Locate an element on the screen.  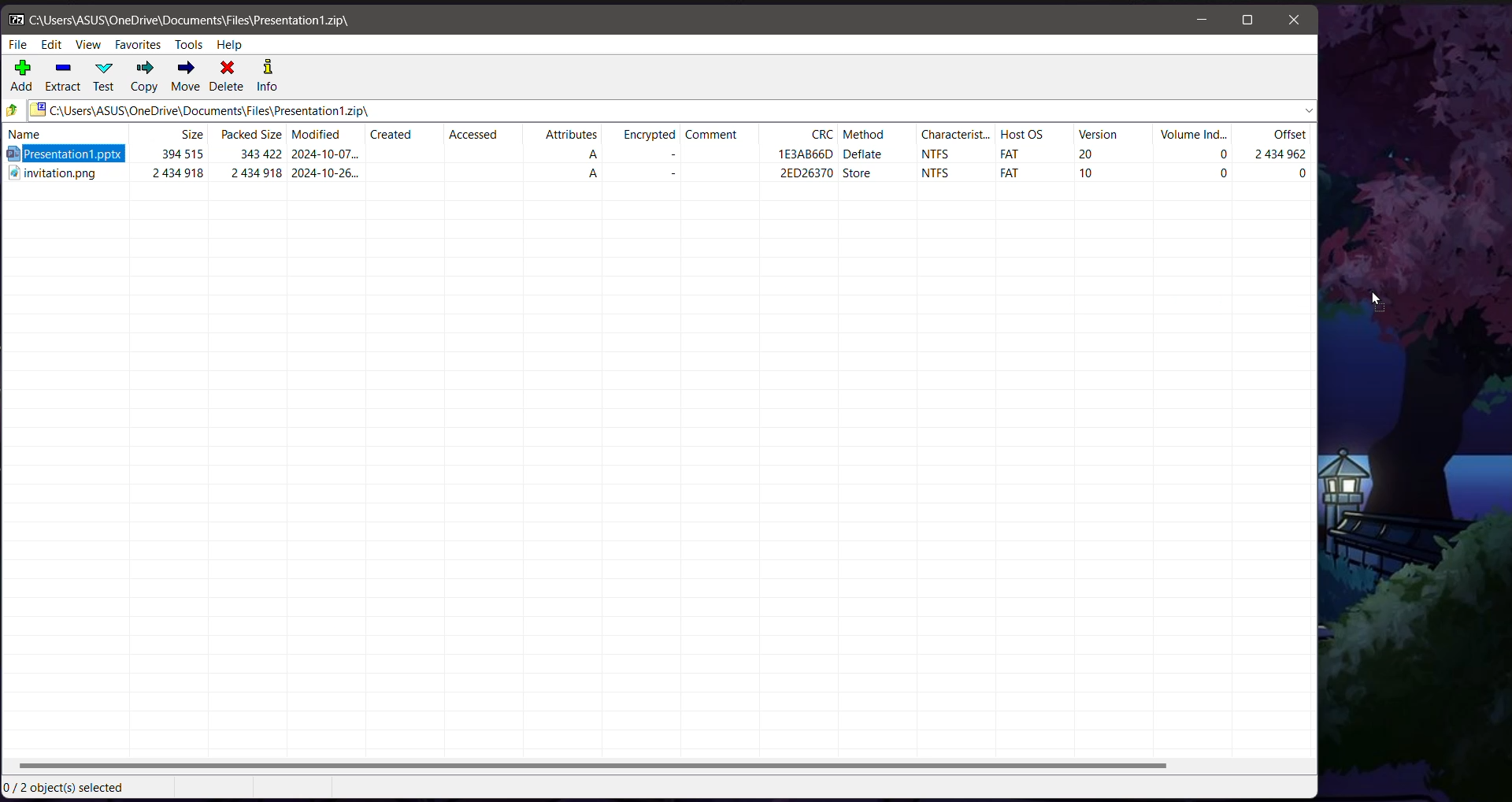
Extract is located at coordinates (64, 78).